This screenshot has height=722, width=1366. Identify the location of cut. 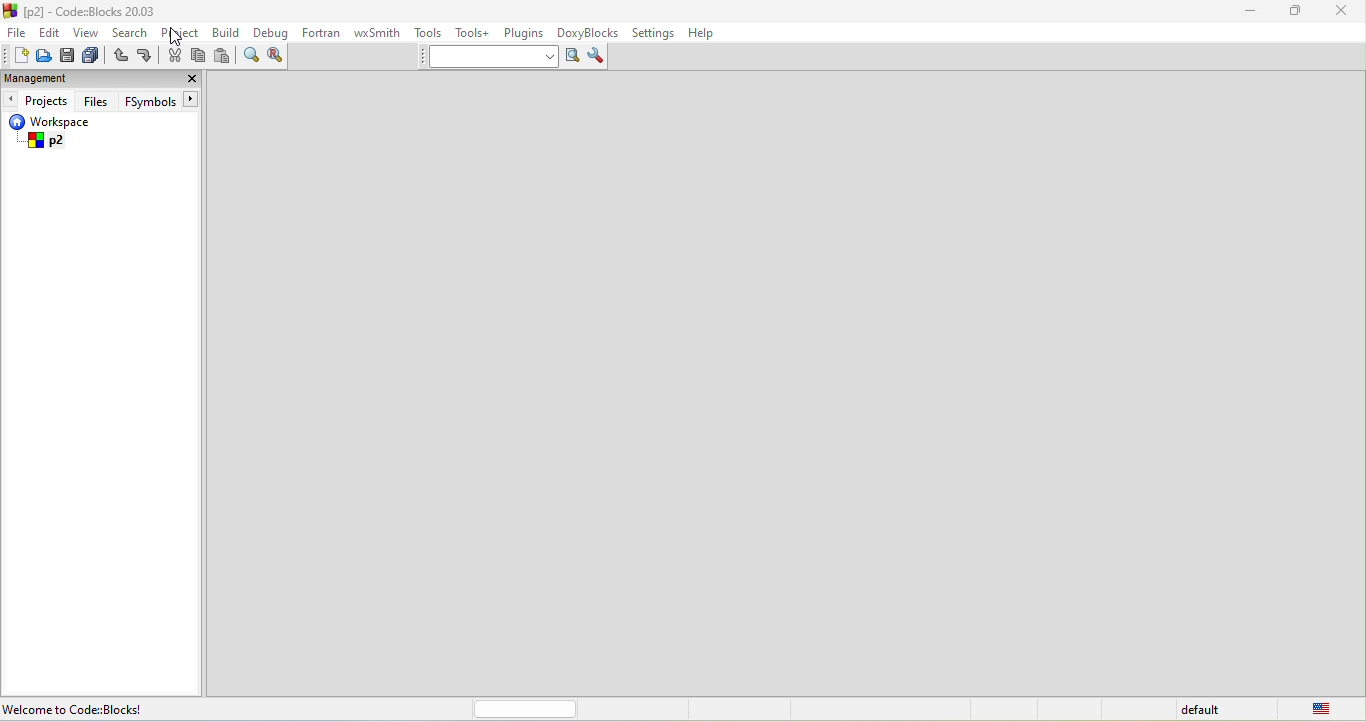
(175, 58).